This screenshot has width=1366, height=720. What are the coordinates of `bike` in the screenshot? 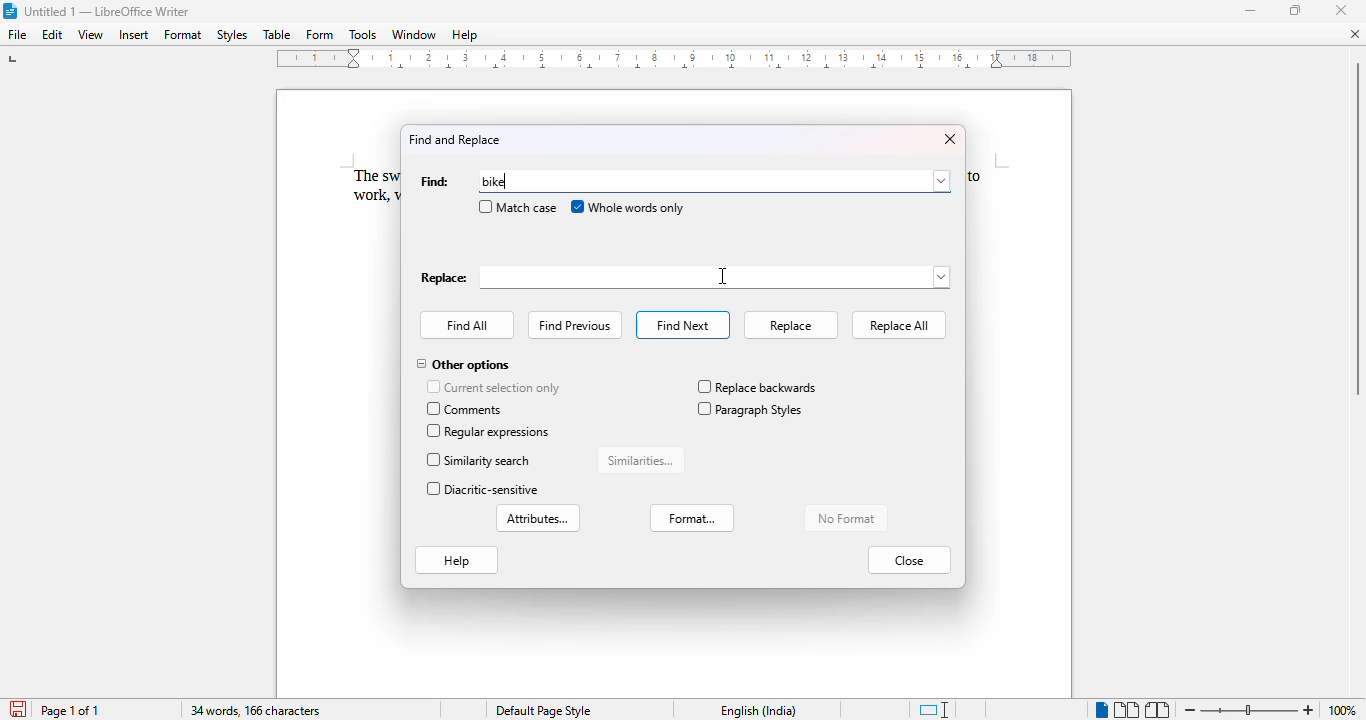 It's located at (497, 182).